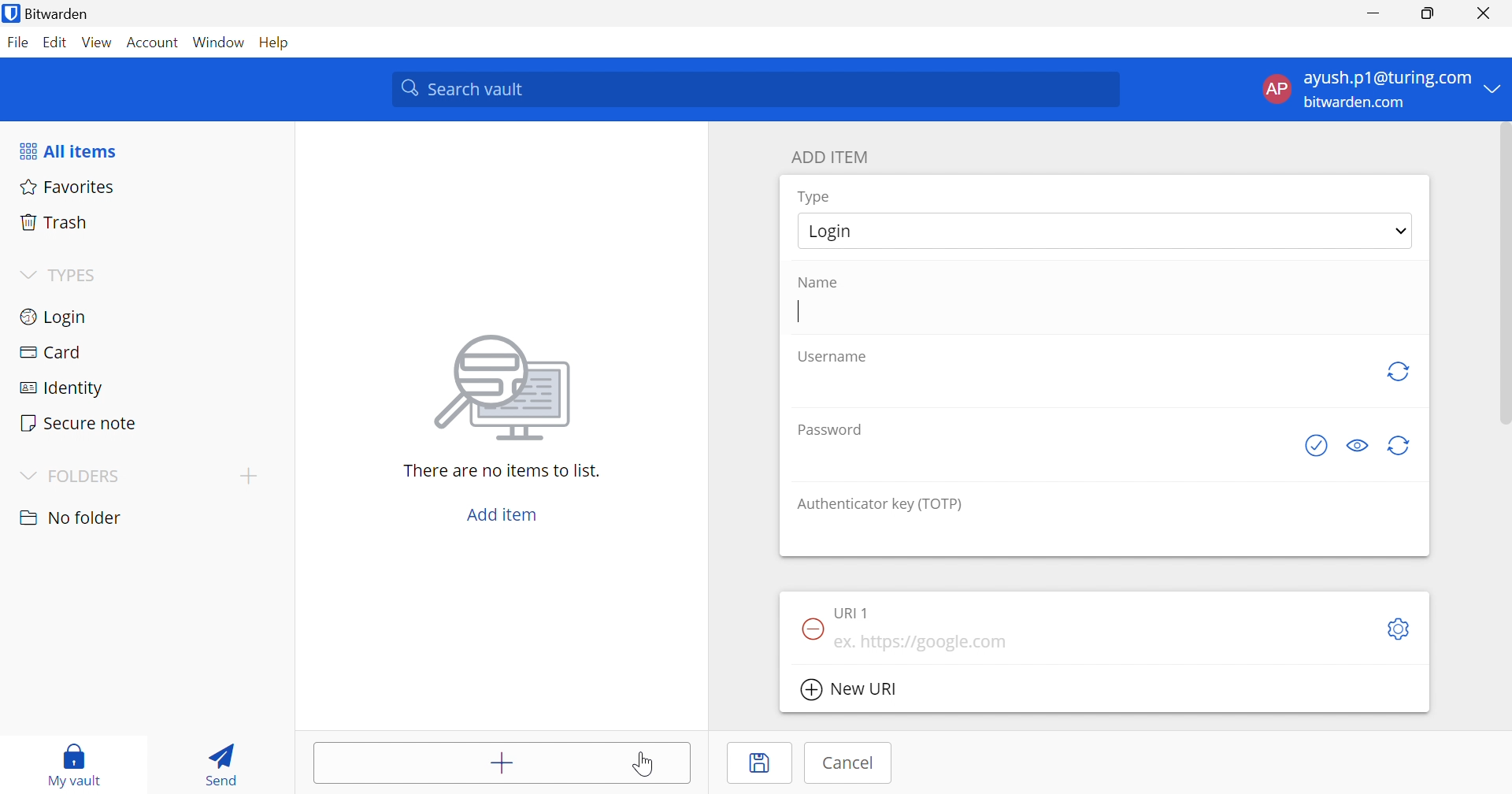 The width and height of the screenshot is (1512, 794). Describe the element at coordinates (1318, 446) in the screenshot. I see `Check if password has been exposed` at that location.